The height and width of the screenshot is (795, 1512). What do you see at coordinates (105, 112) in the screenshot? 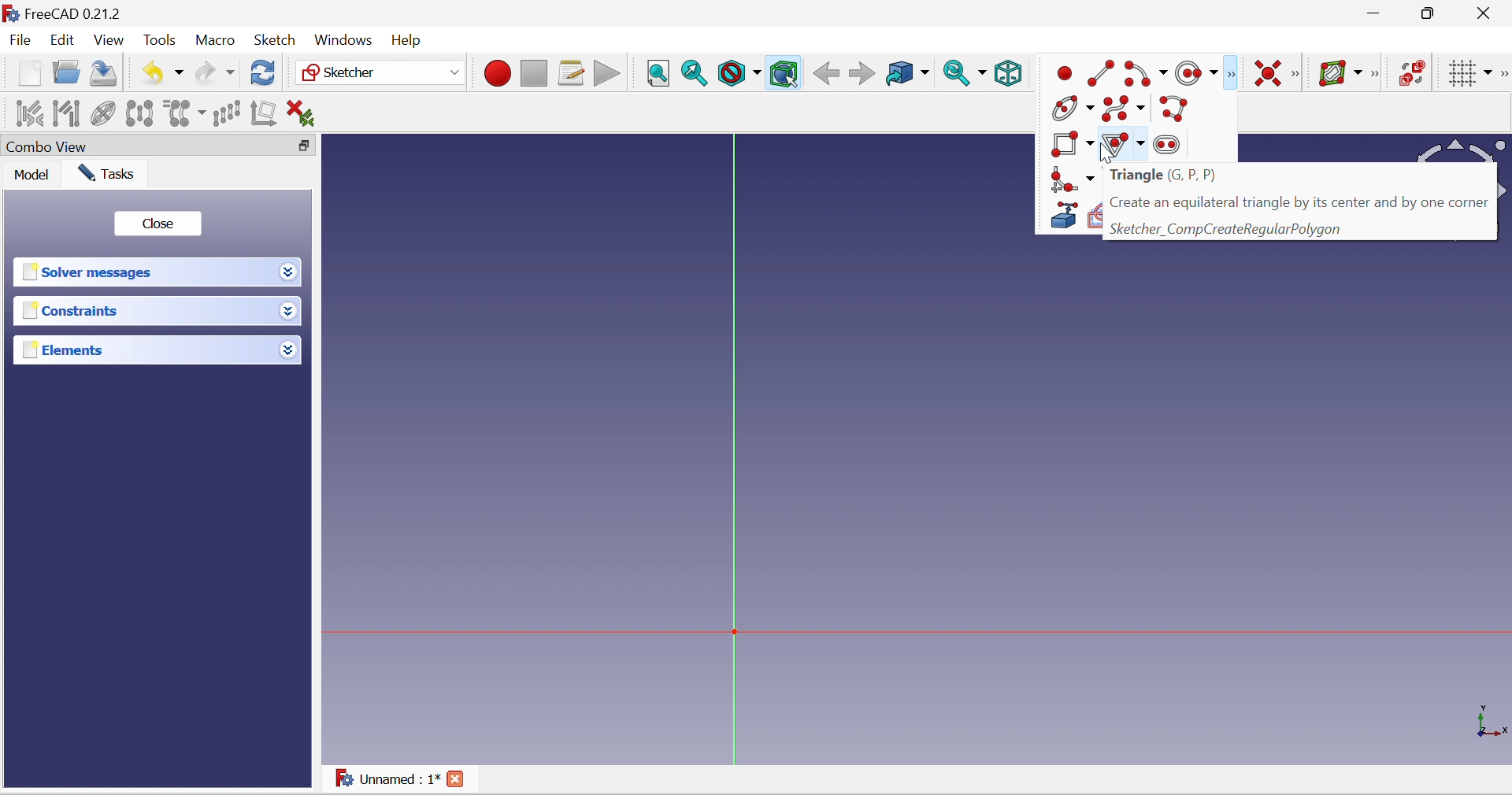
I see `Show/hide internal geometry` at bounding box center [105, 112].